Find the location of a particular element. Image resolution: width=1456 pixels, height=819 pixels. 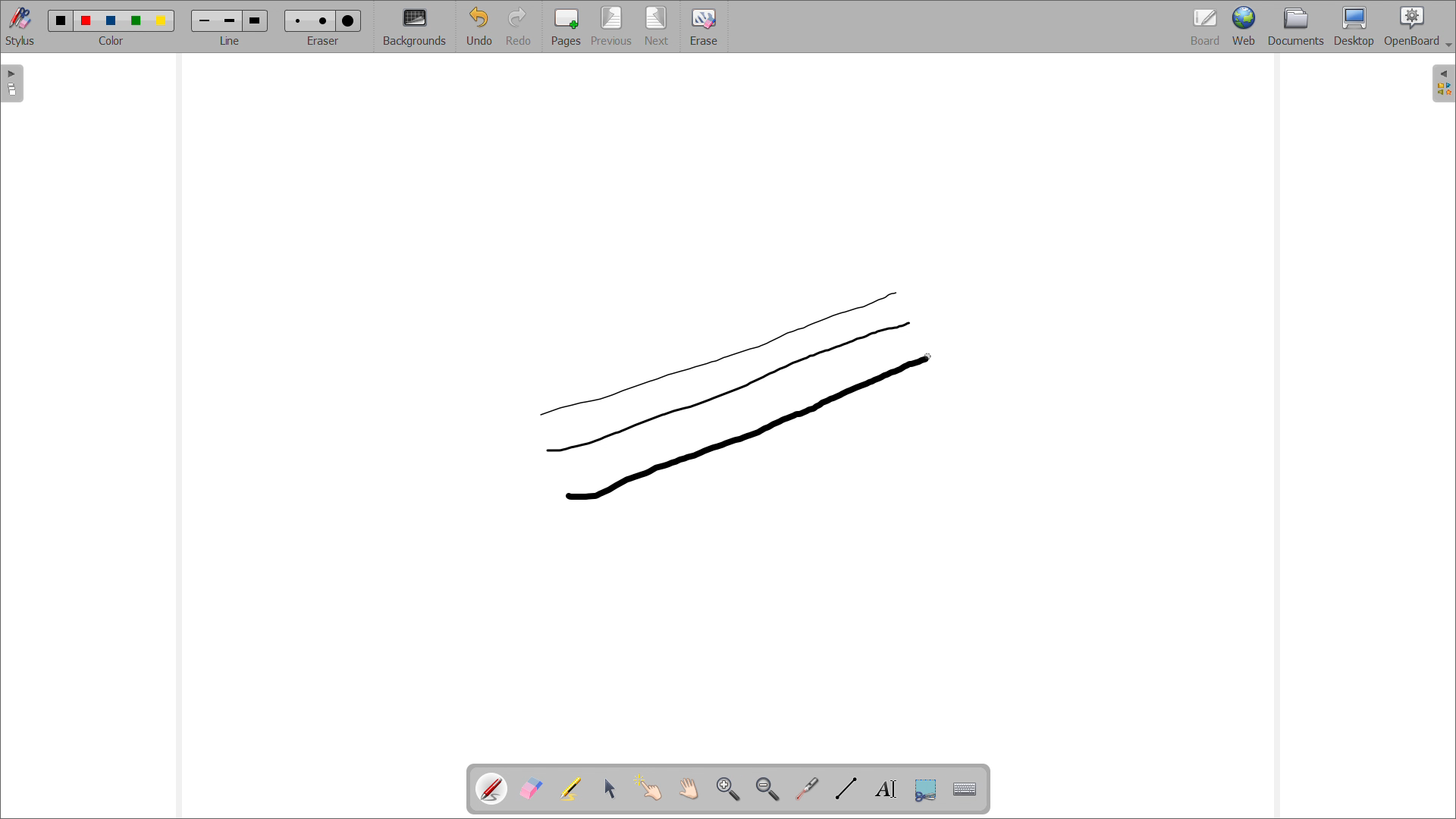

open pages view is located at coordinates (13, 83).